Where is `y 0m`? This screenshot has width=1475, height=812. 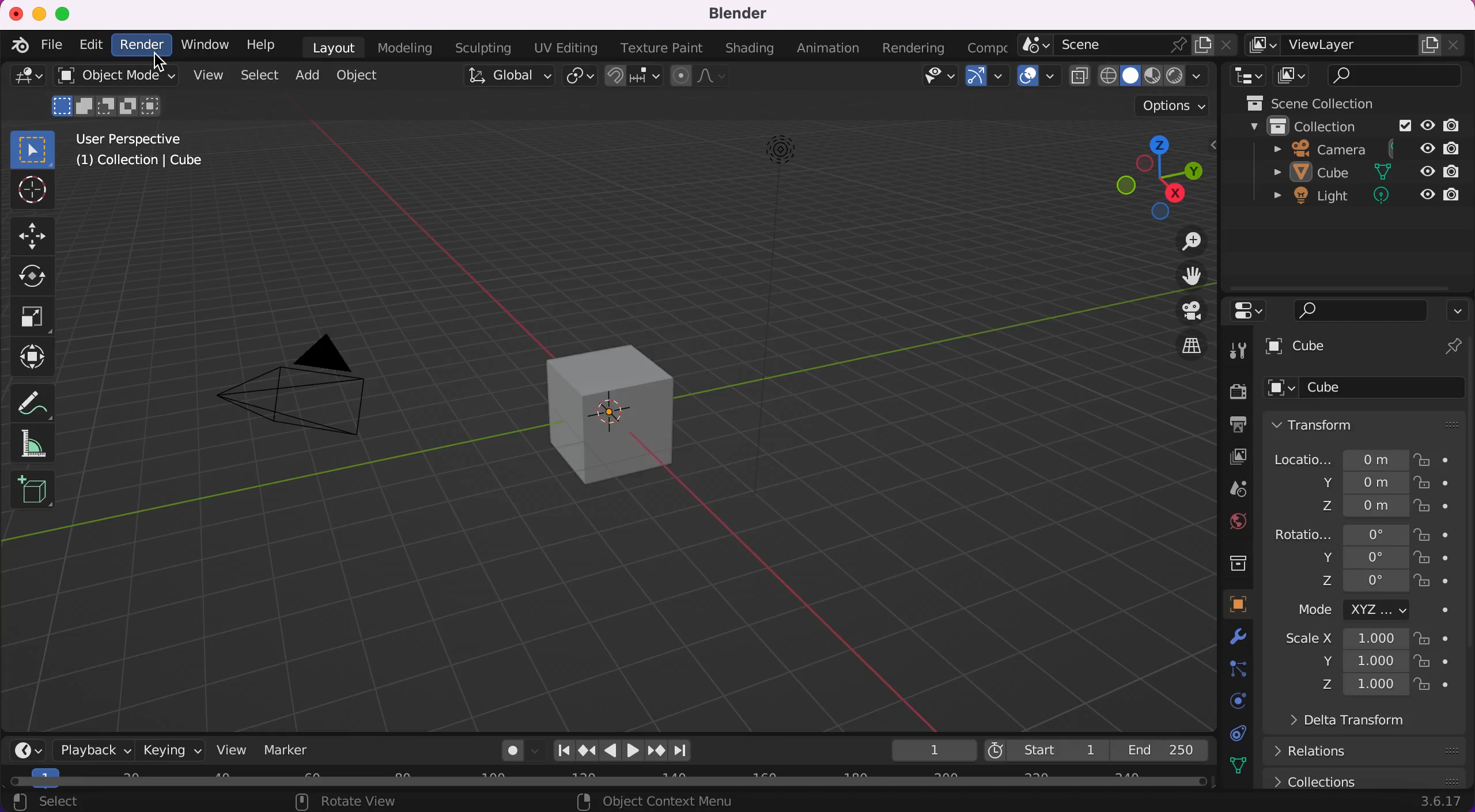
y 0m is located at coordinates (1335, 482).